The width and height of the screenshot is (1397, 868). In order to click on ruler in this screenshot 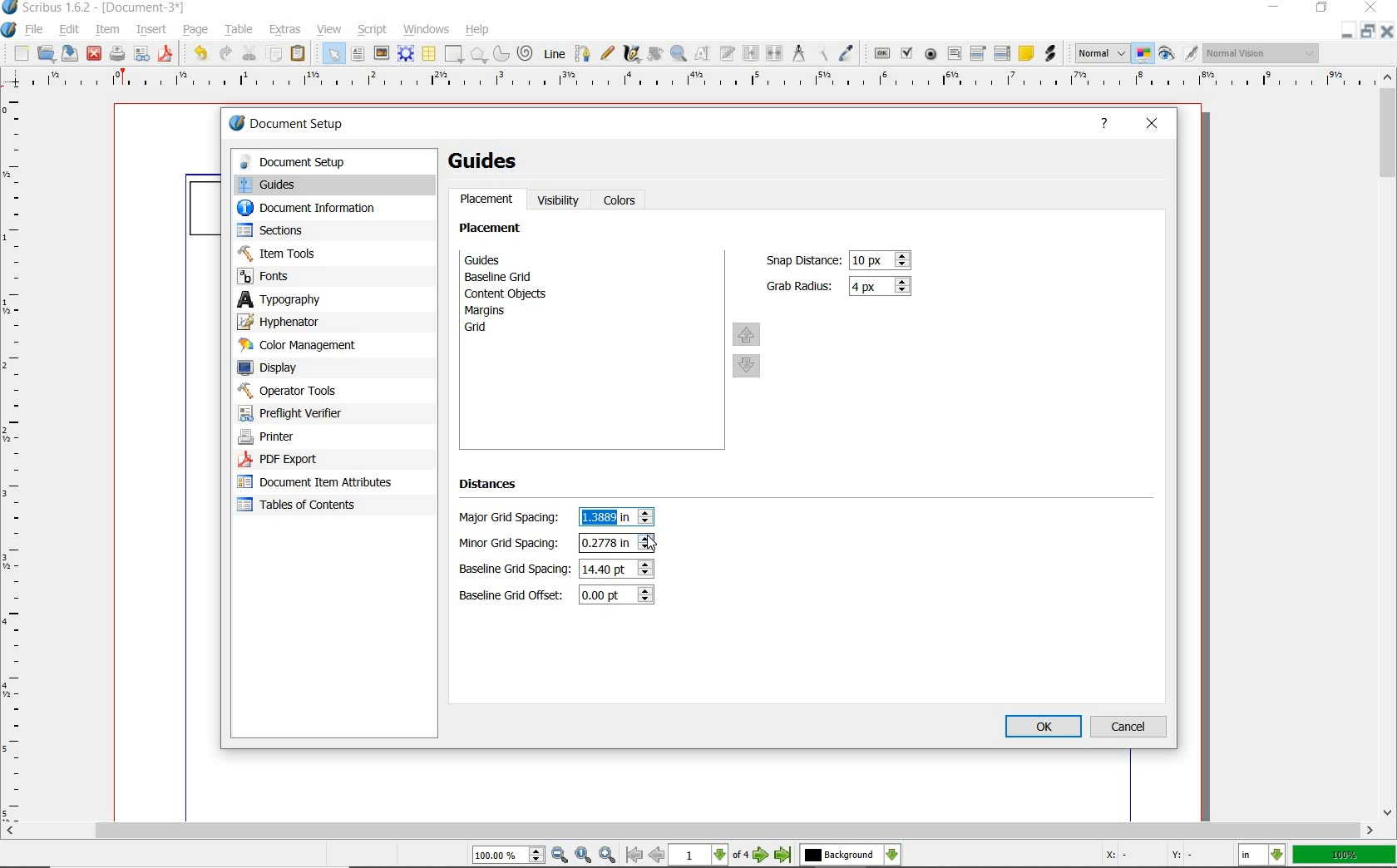, I will do `click(692, 83)`.